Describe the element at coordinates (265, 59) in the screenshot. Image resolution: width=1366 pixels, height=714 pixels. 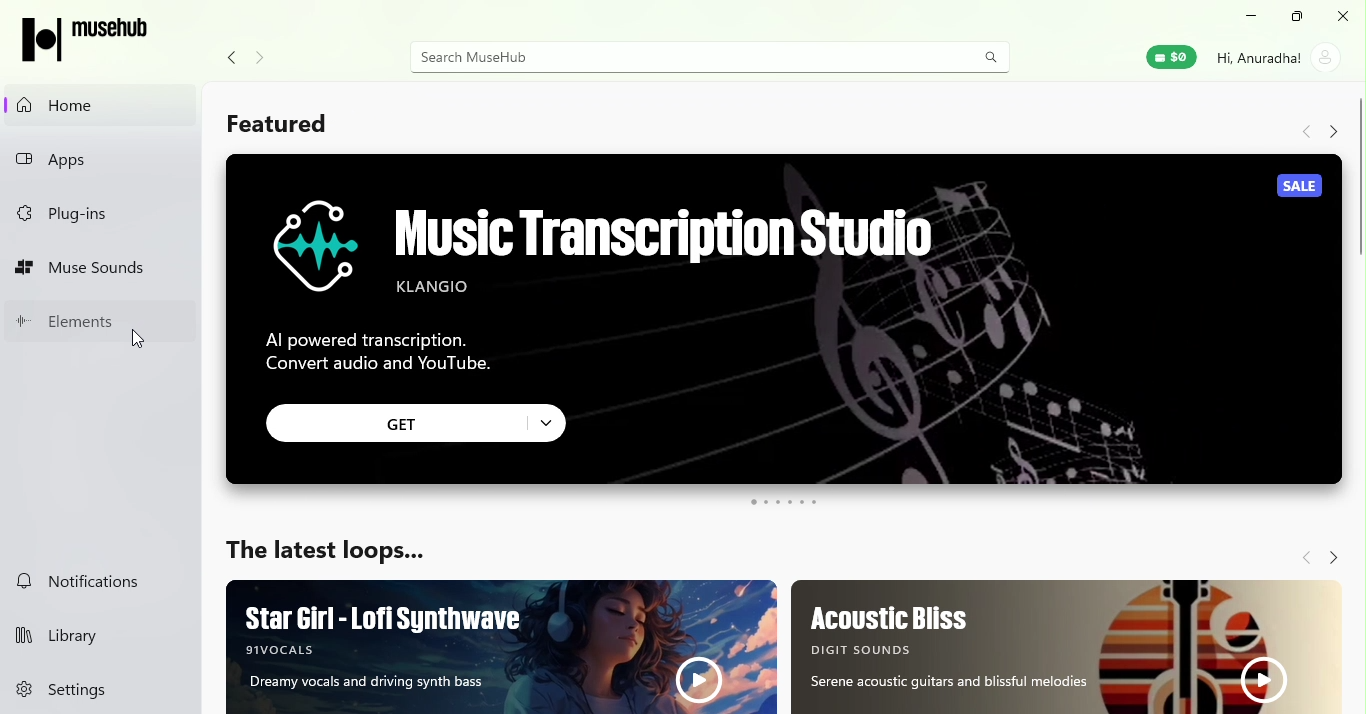
I see `Navigate forward` at that location.